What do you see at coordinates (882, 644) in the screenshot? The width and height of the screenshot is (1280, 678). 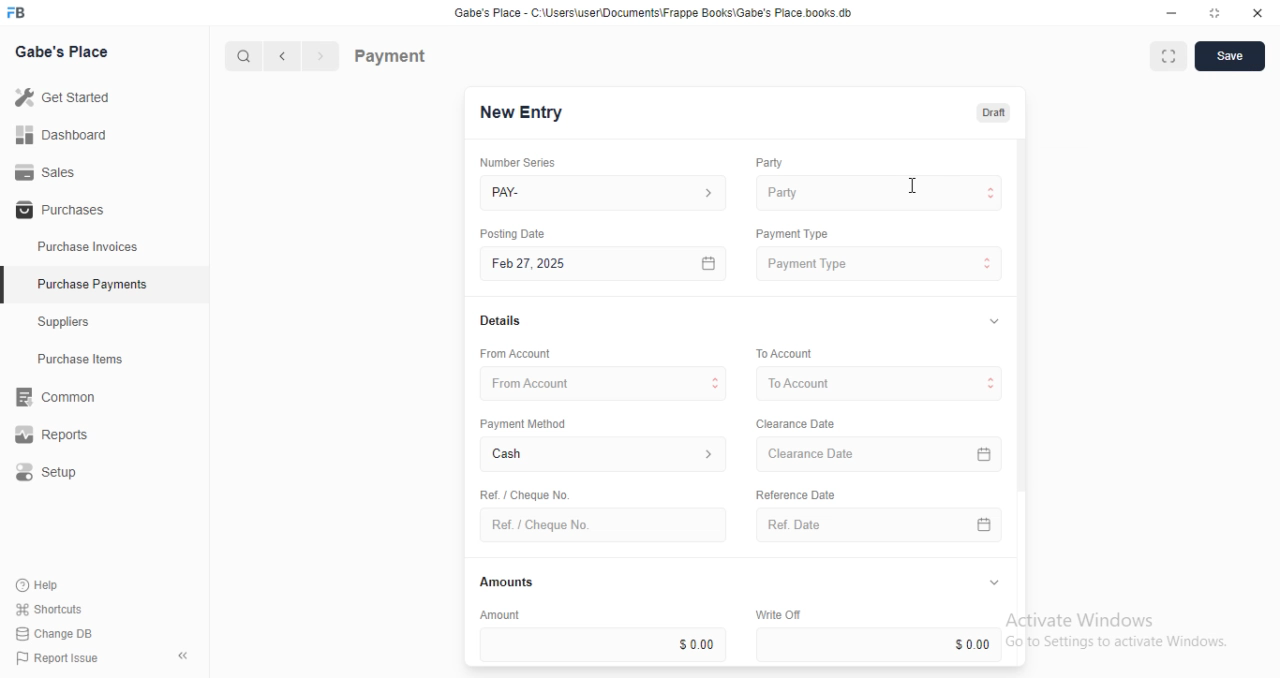 I see `$0.00` at bounding box center [882, 644].